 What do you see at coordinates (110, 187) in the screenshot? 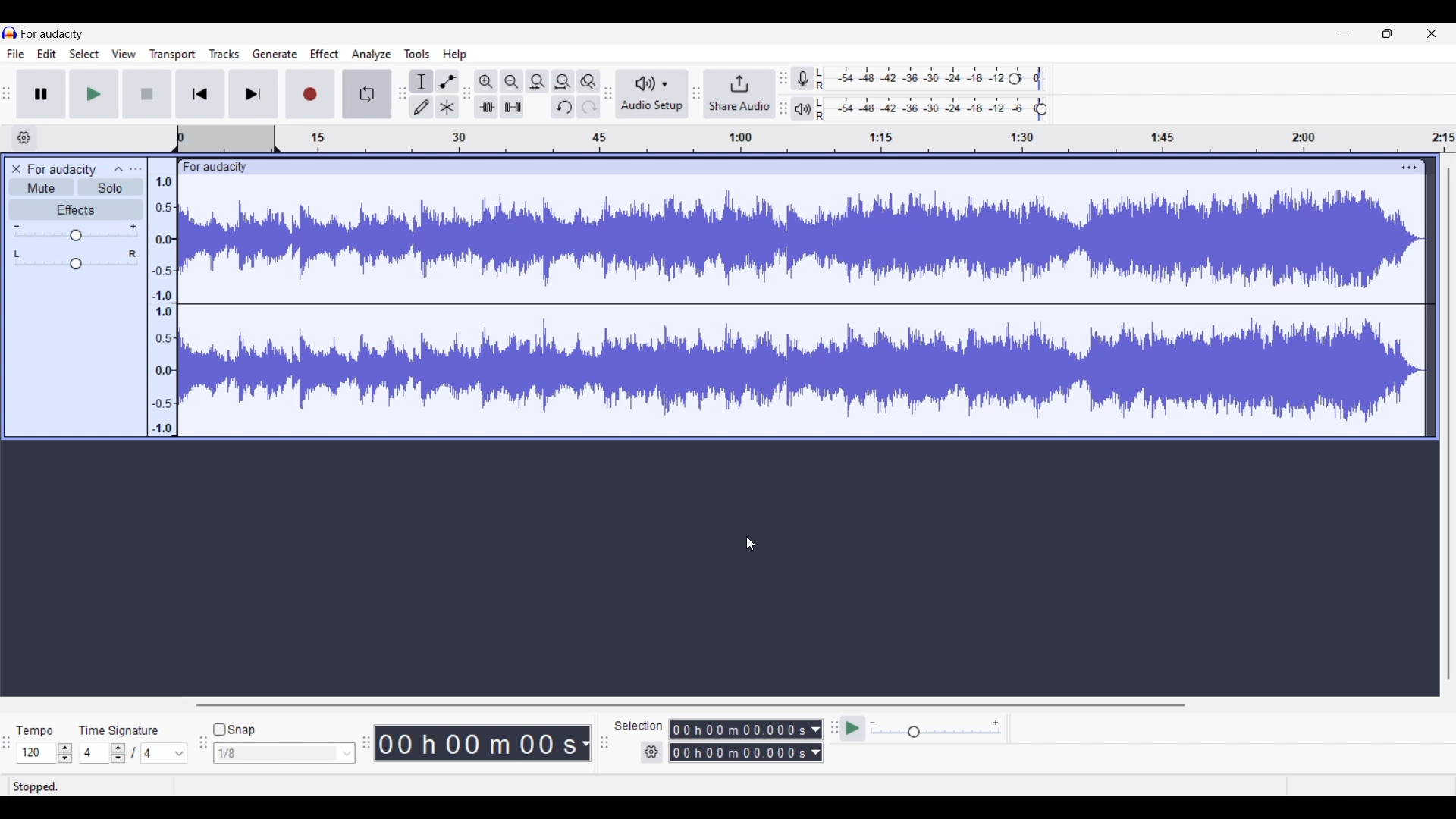
I see `Solo` at bounding box center [110, 187].